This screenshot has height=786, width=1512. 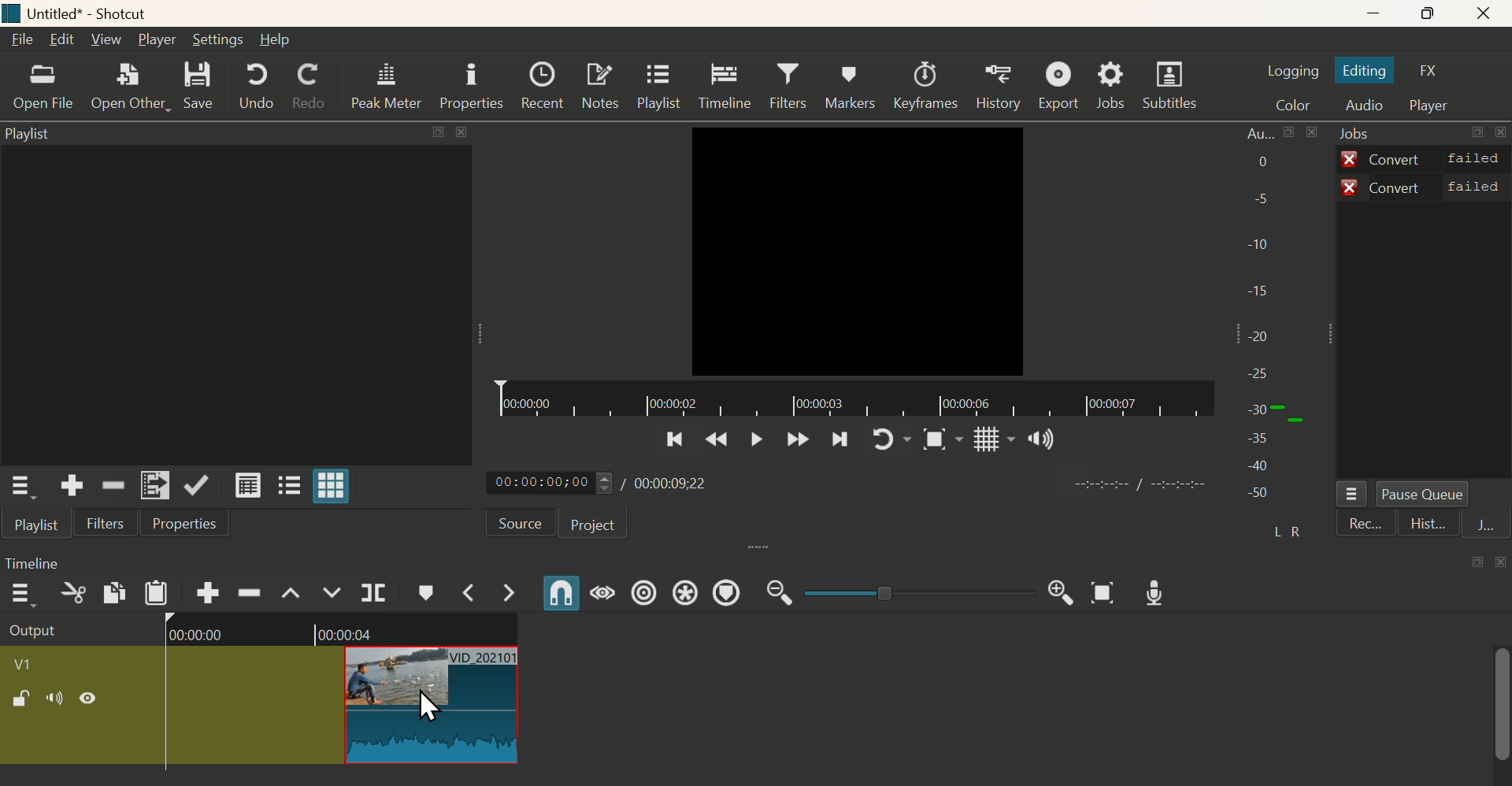 I want to click on Markers, so click(x=849, y=85).